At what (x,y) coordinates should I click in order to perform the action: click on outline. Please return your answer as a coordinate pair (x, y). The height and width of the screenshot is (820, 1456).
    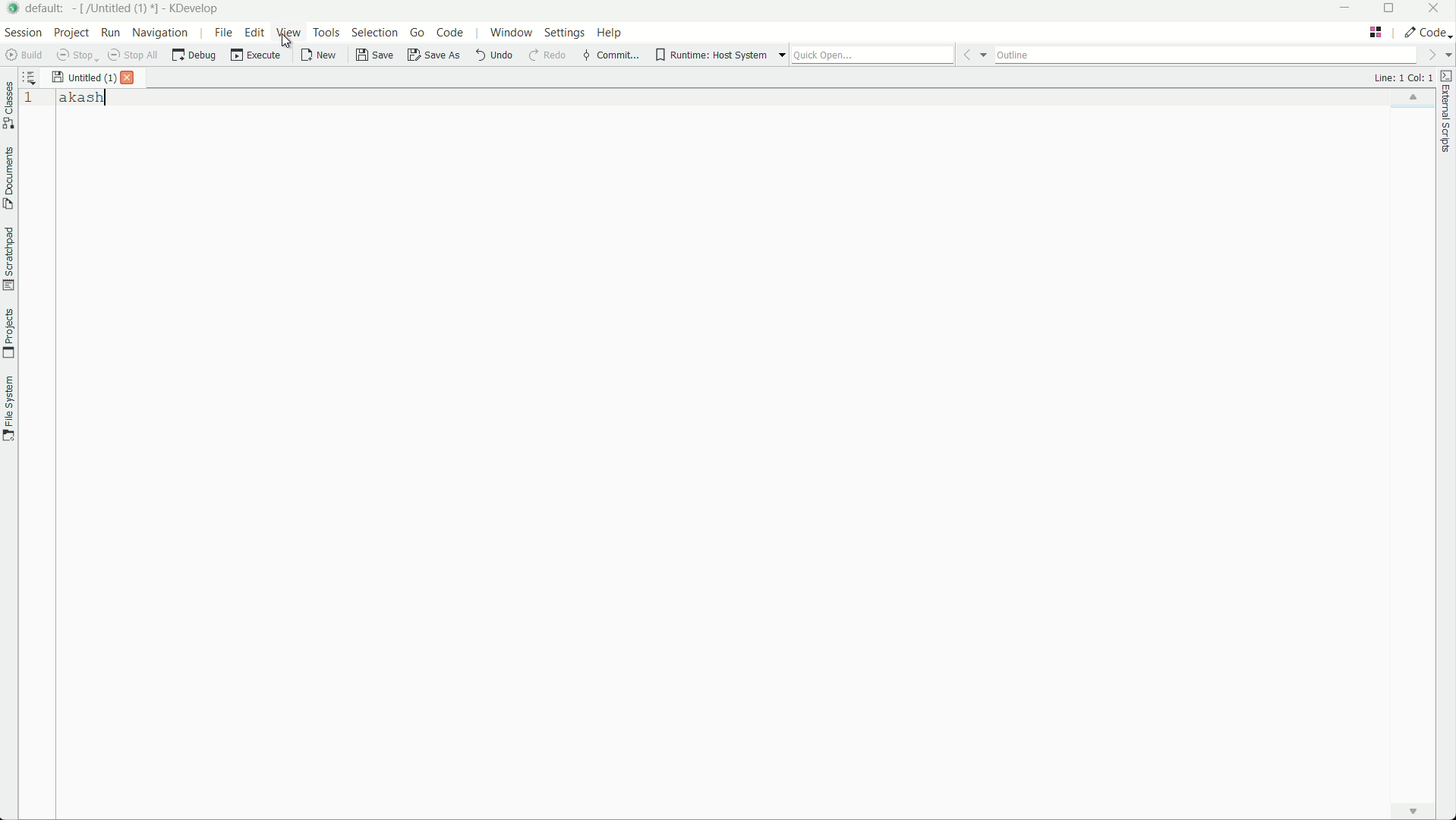
    Looking at the image, I should click on (1209, 55).